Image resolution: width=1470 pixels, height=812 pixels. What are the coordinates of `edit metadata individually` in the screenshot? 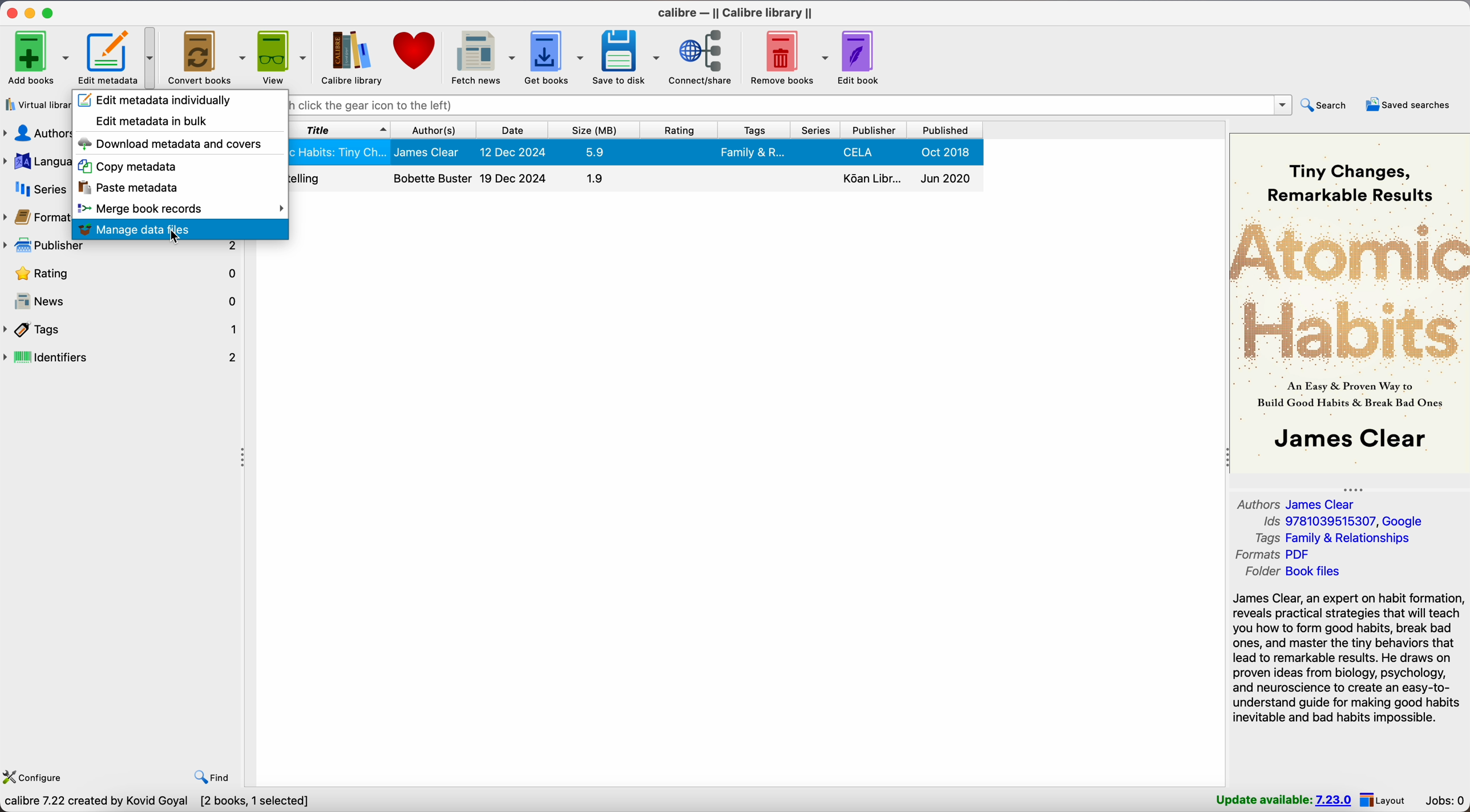 It's located at (156, 99).